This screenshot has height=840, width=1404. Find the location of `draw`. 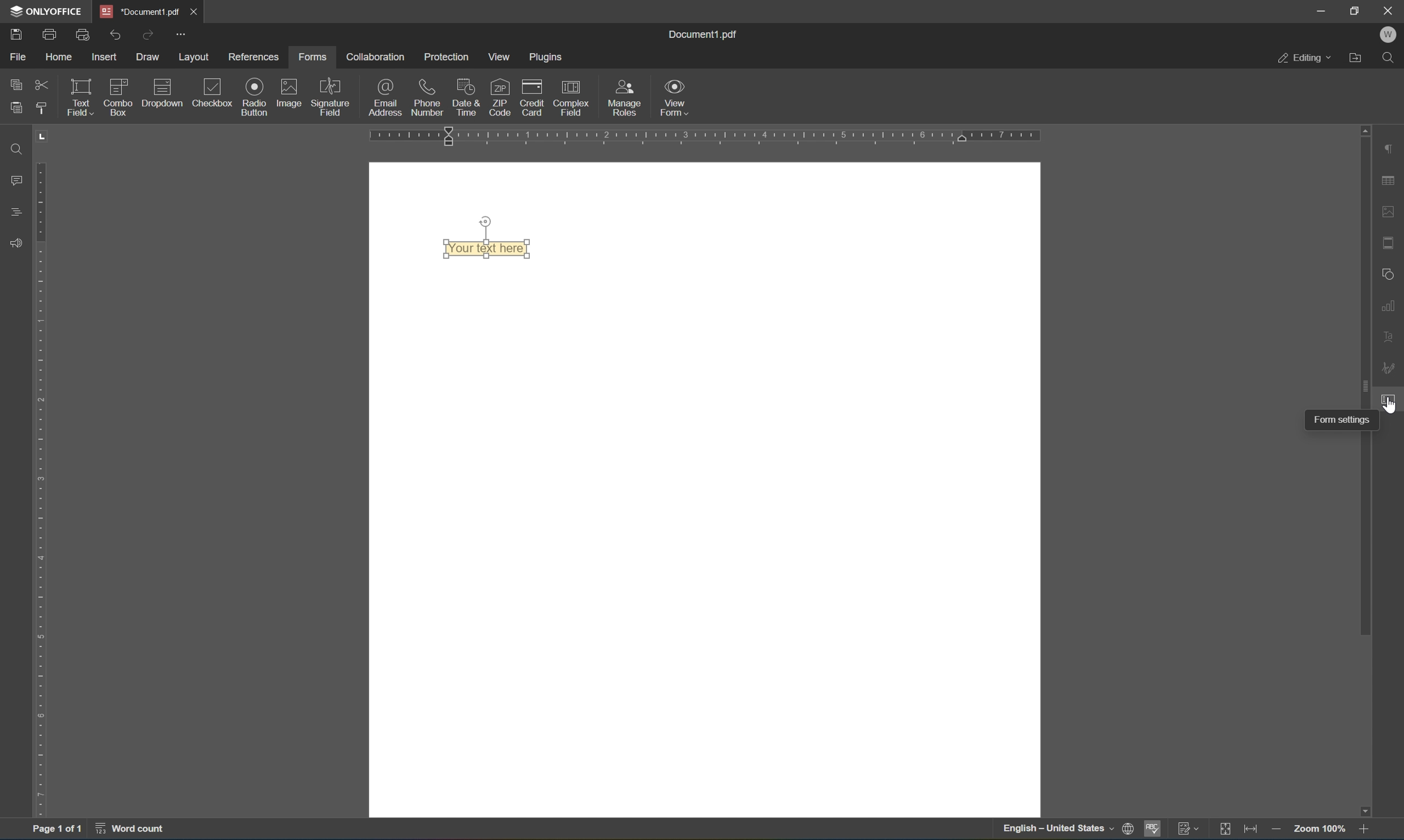

draw is located at coordinates (150, 54).